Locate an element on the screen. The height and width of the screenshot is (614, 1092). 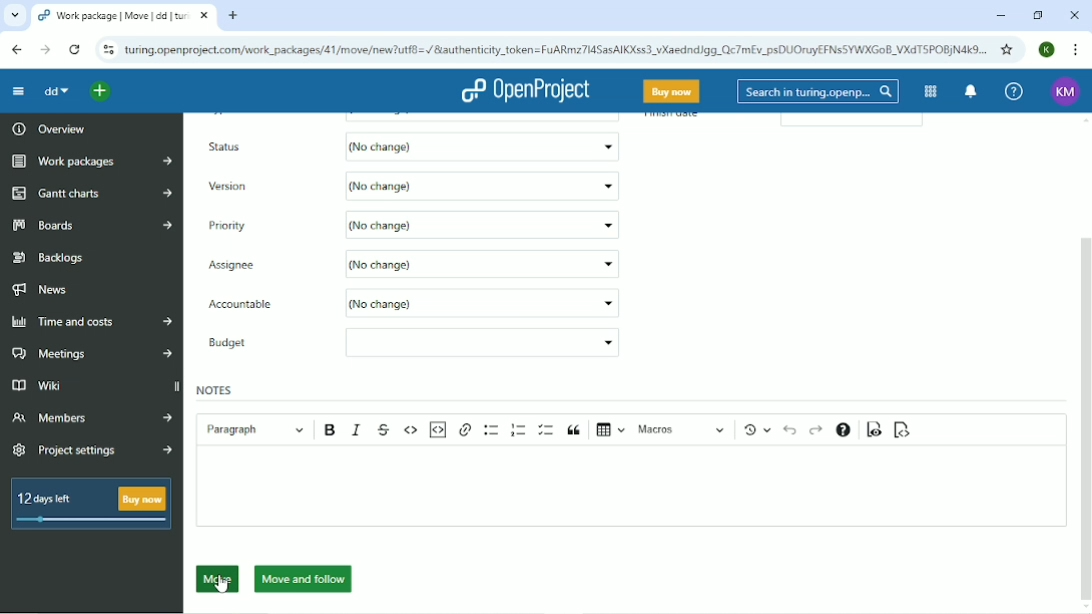
Switch to markdown source is located at coordinates (905, 428).